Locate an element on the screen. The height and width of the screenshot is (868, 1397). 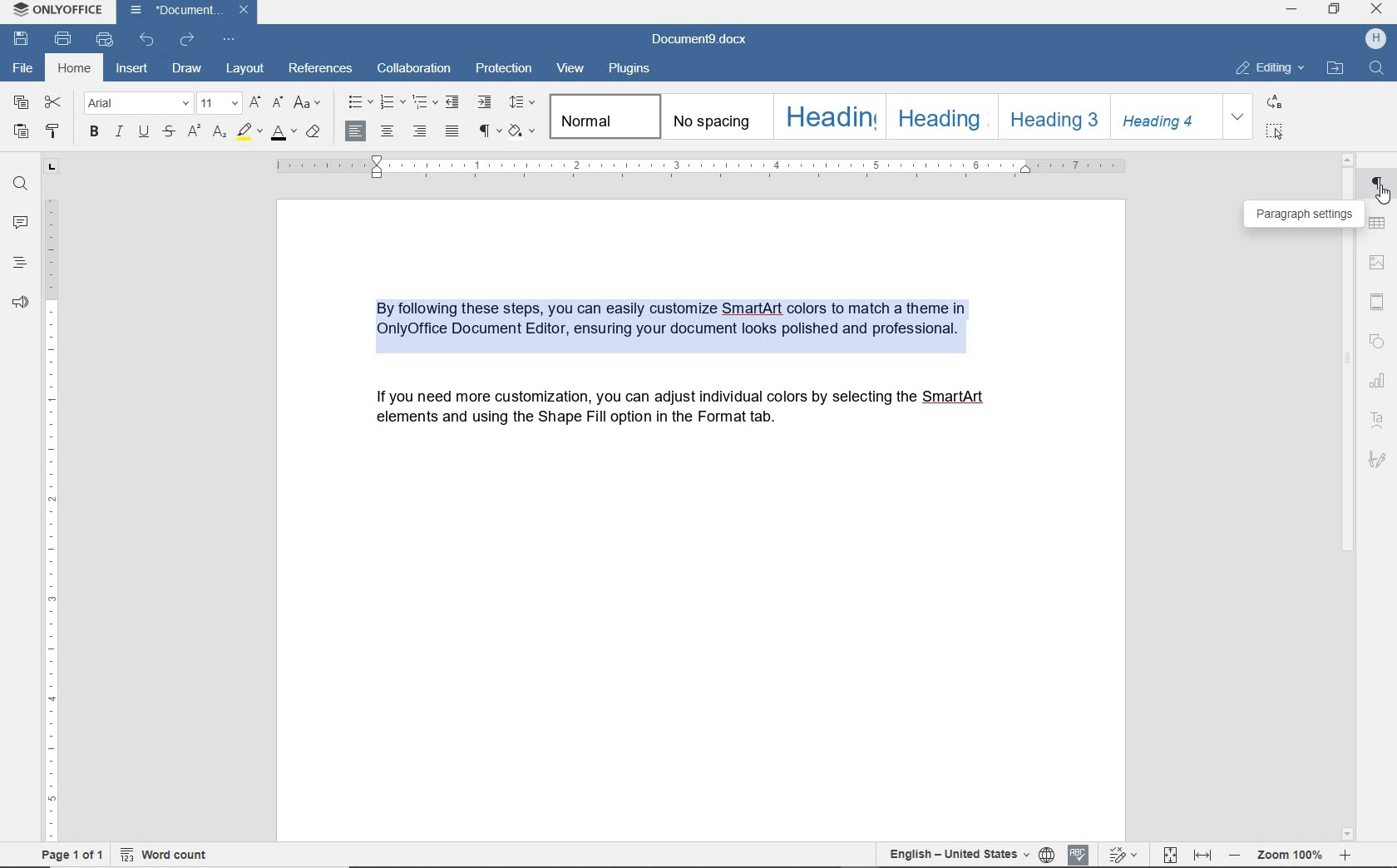
change case is located at coordinates (309, 101).